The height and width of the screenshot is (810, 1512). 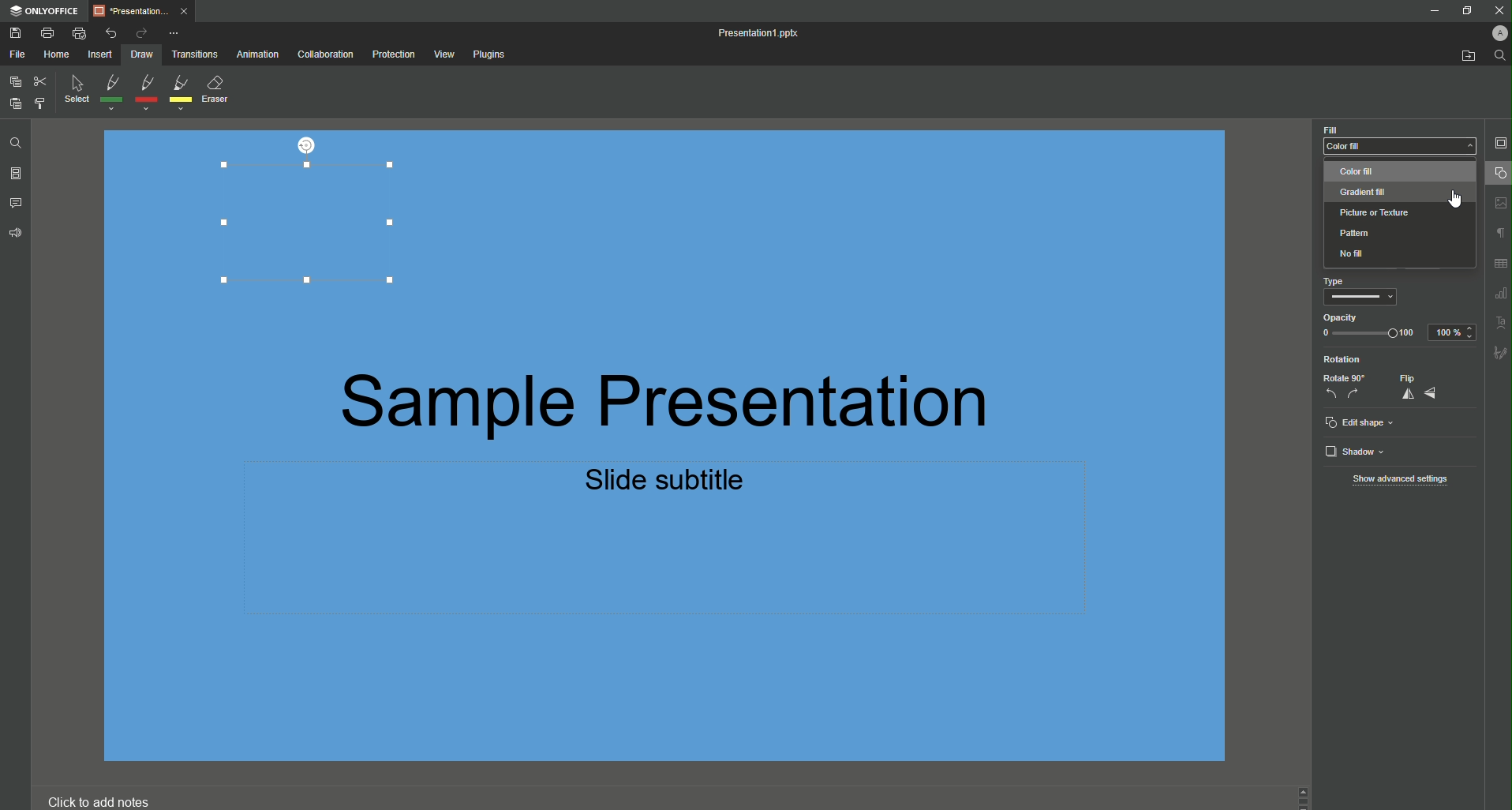 I want to click on Restore, so click(x=1465, y=12).